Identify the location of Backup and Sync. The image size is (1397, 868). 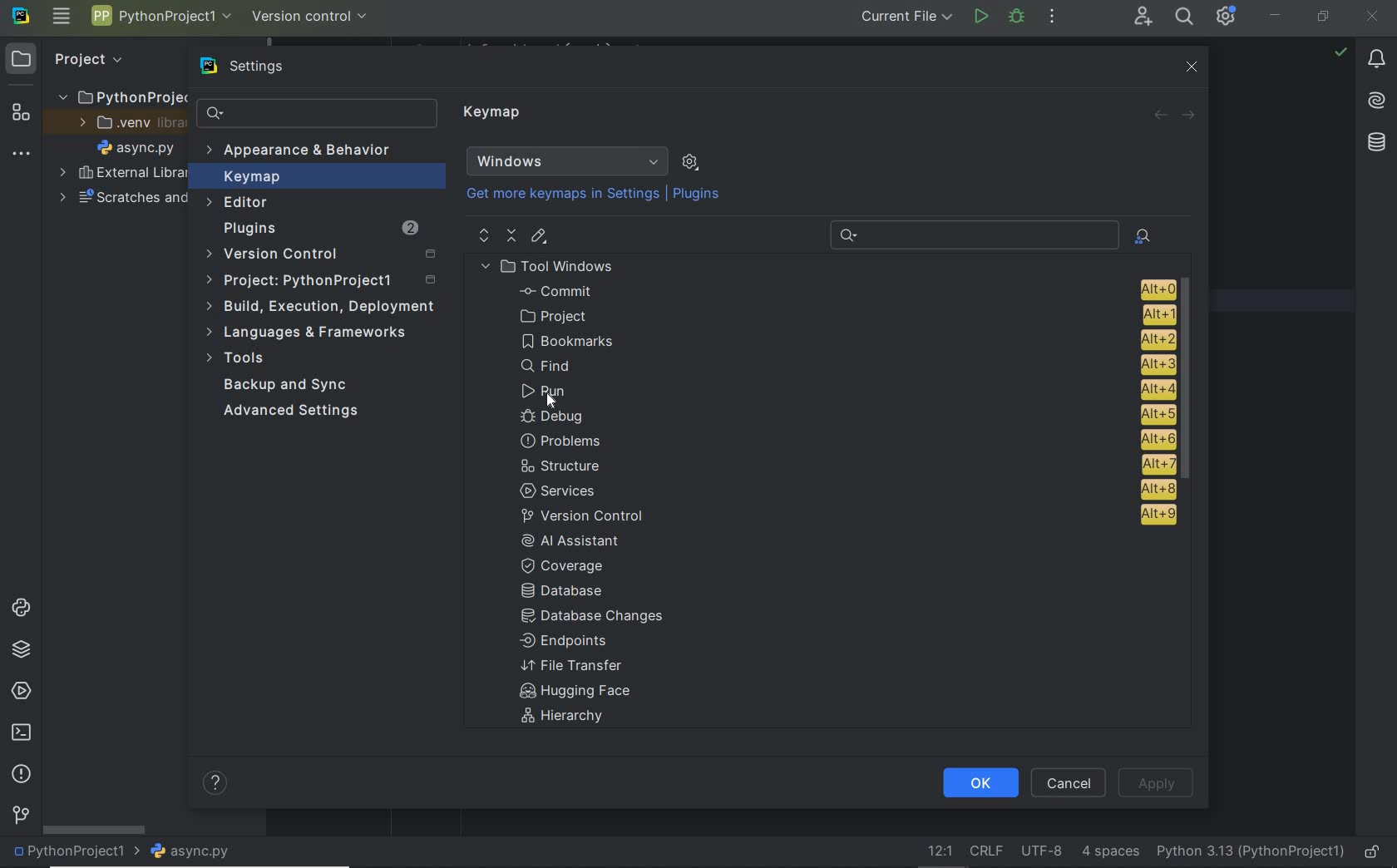
(287, 386).